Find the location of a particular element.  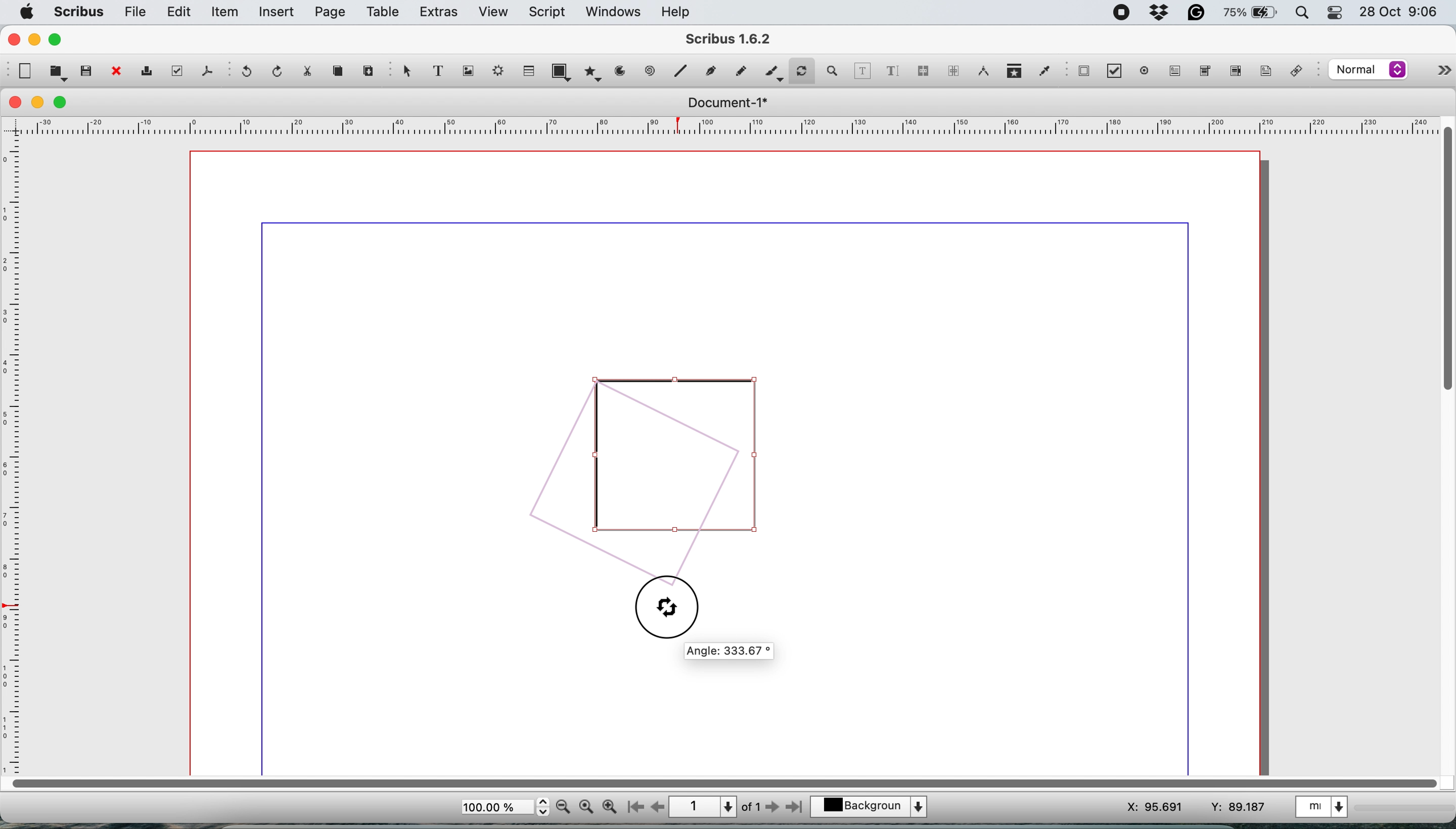

insert is located at coordinates (278, 13).